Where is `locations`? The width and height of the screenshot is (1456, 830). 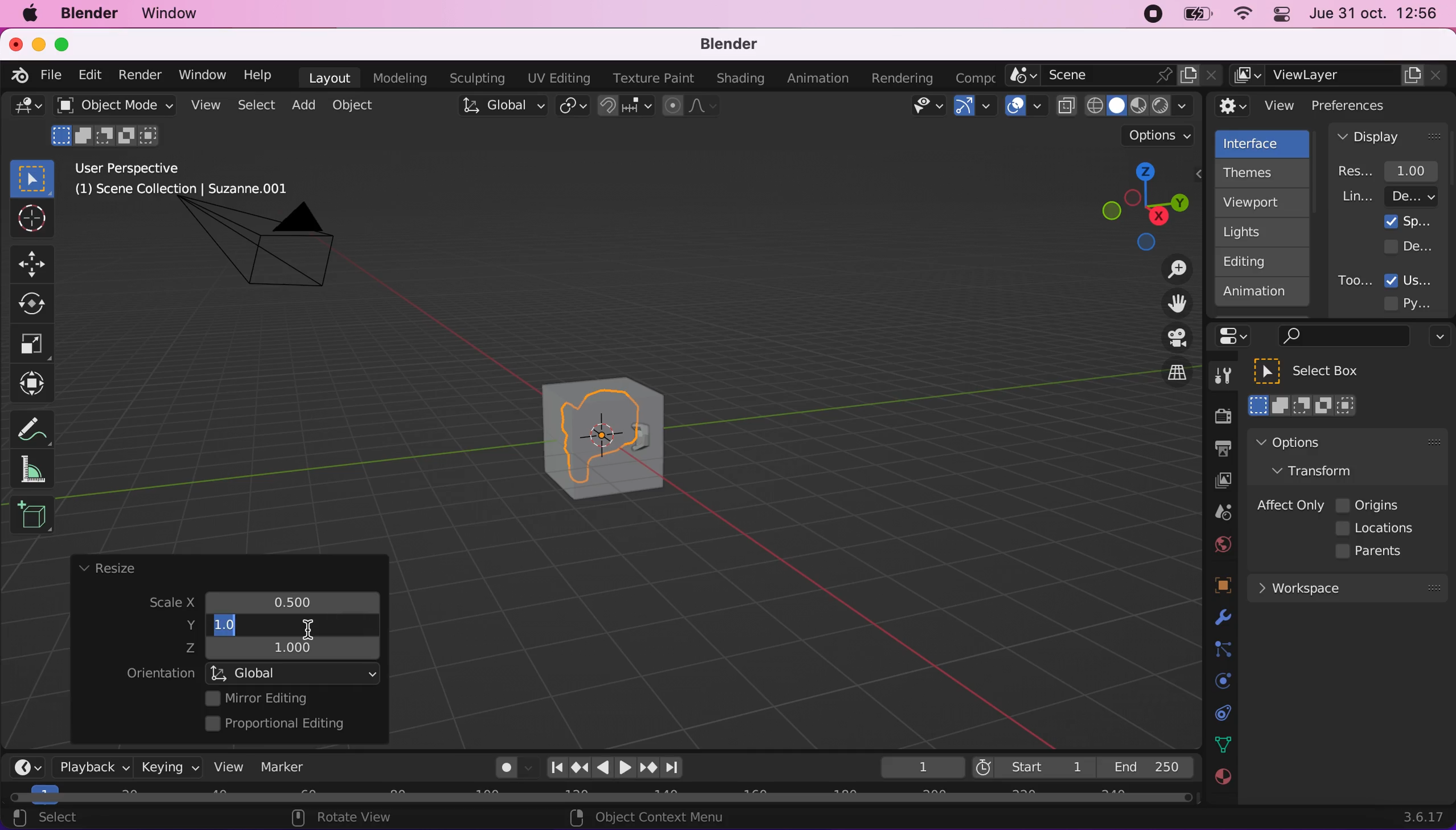 locations is located at coordinates (1378, 528).